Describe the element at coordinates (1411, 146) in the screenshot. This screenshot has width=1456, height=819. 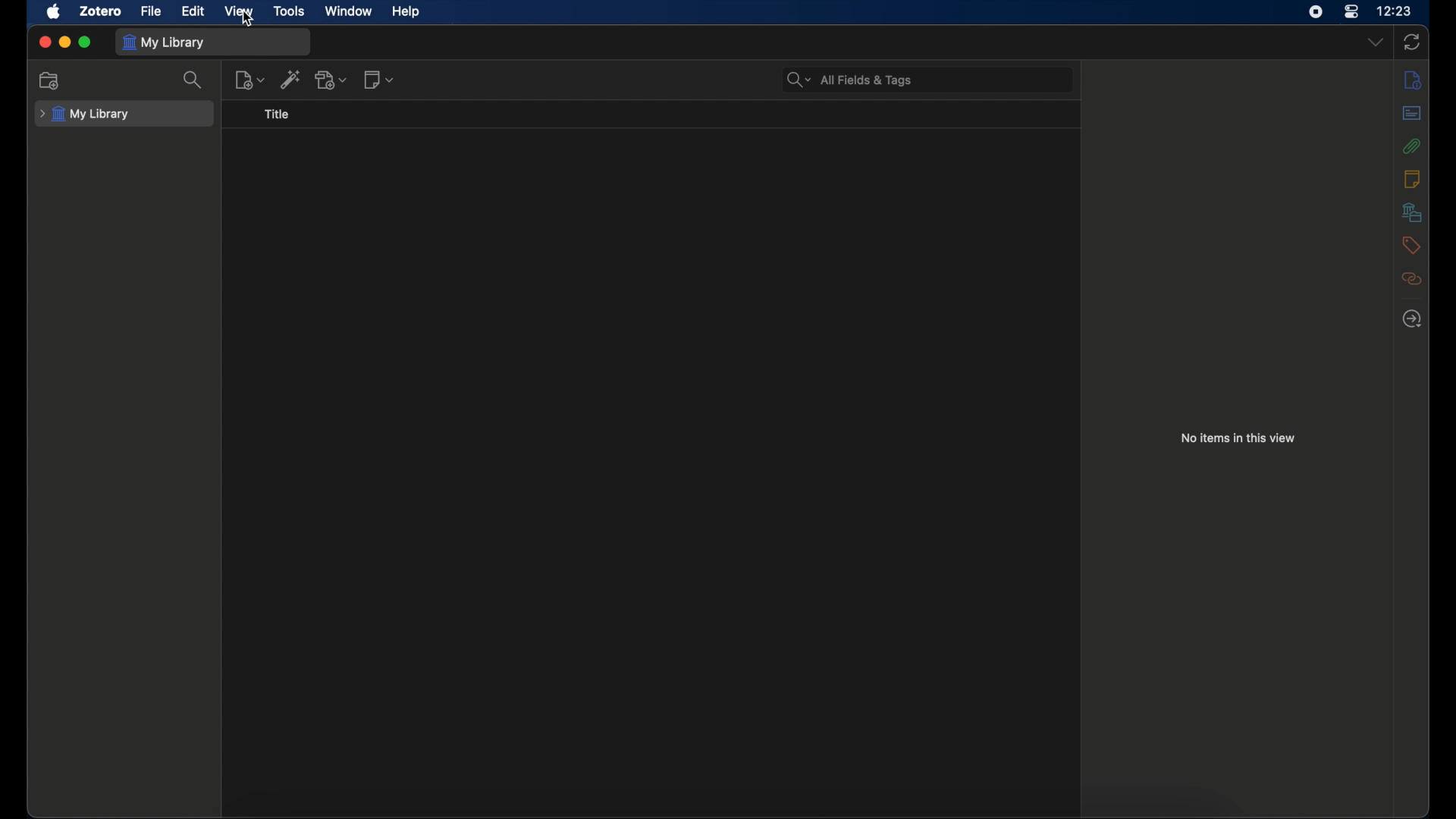
I see `attachments` at that location.